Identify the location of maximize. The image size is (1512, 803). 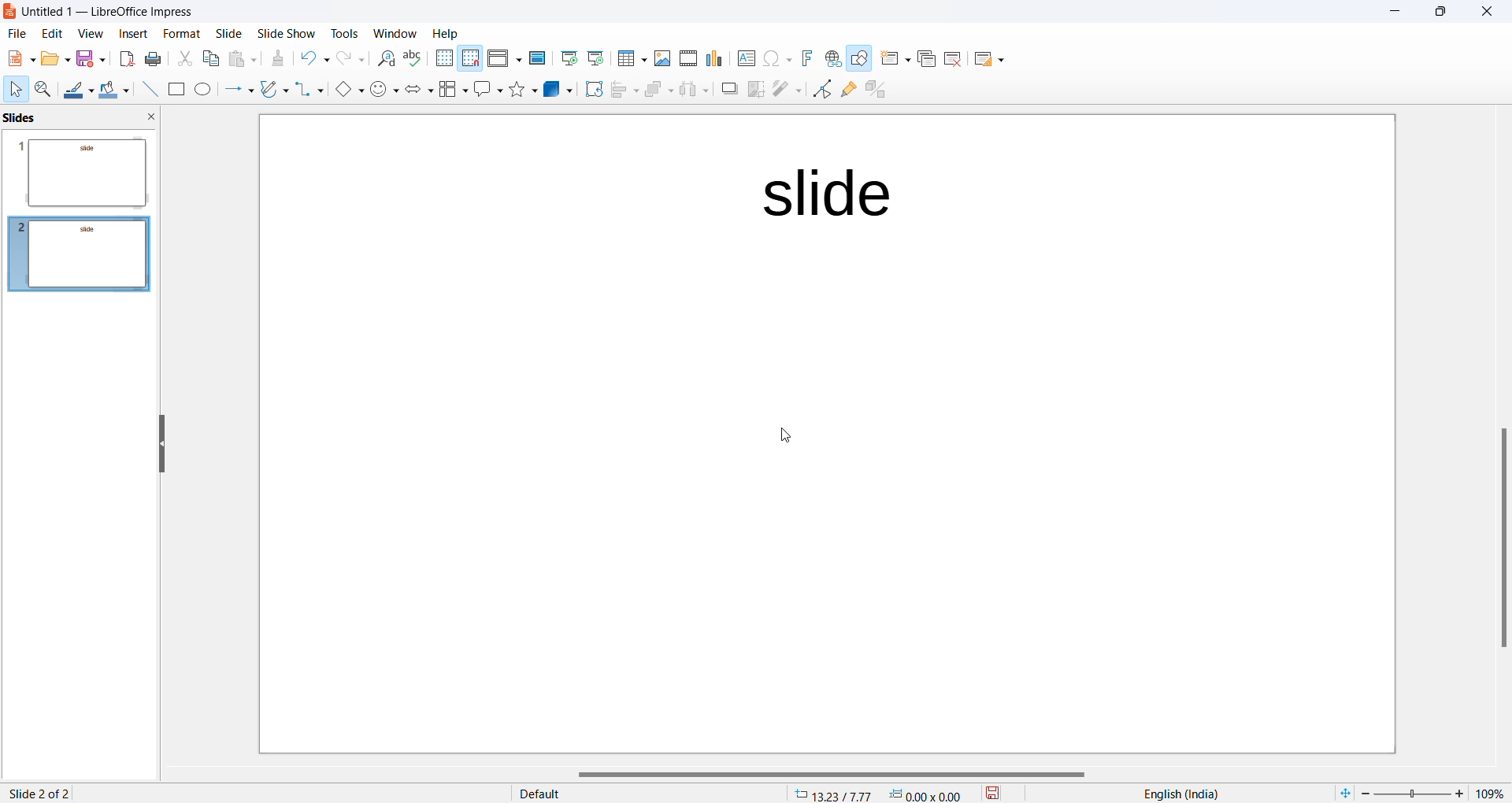
(1442, 15).